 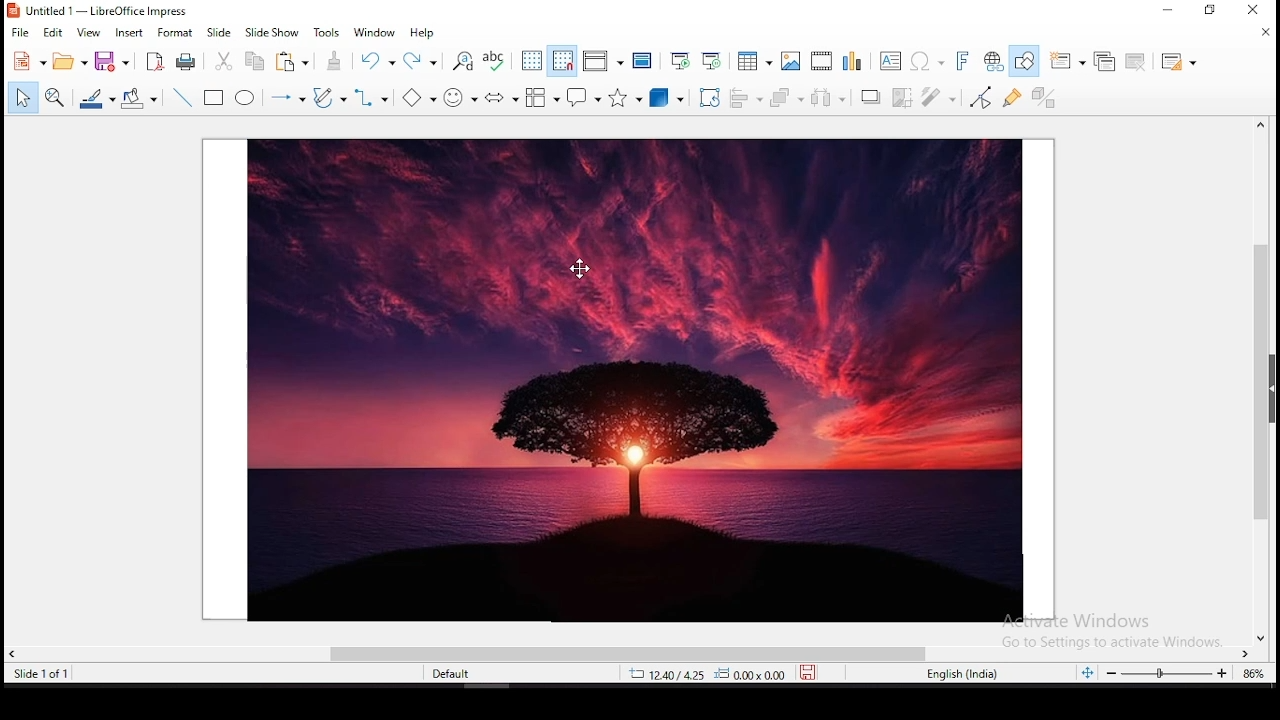 I want to click on spell check, so click(x=496, y=59).